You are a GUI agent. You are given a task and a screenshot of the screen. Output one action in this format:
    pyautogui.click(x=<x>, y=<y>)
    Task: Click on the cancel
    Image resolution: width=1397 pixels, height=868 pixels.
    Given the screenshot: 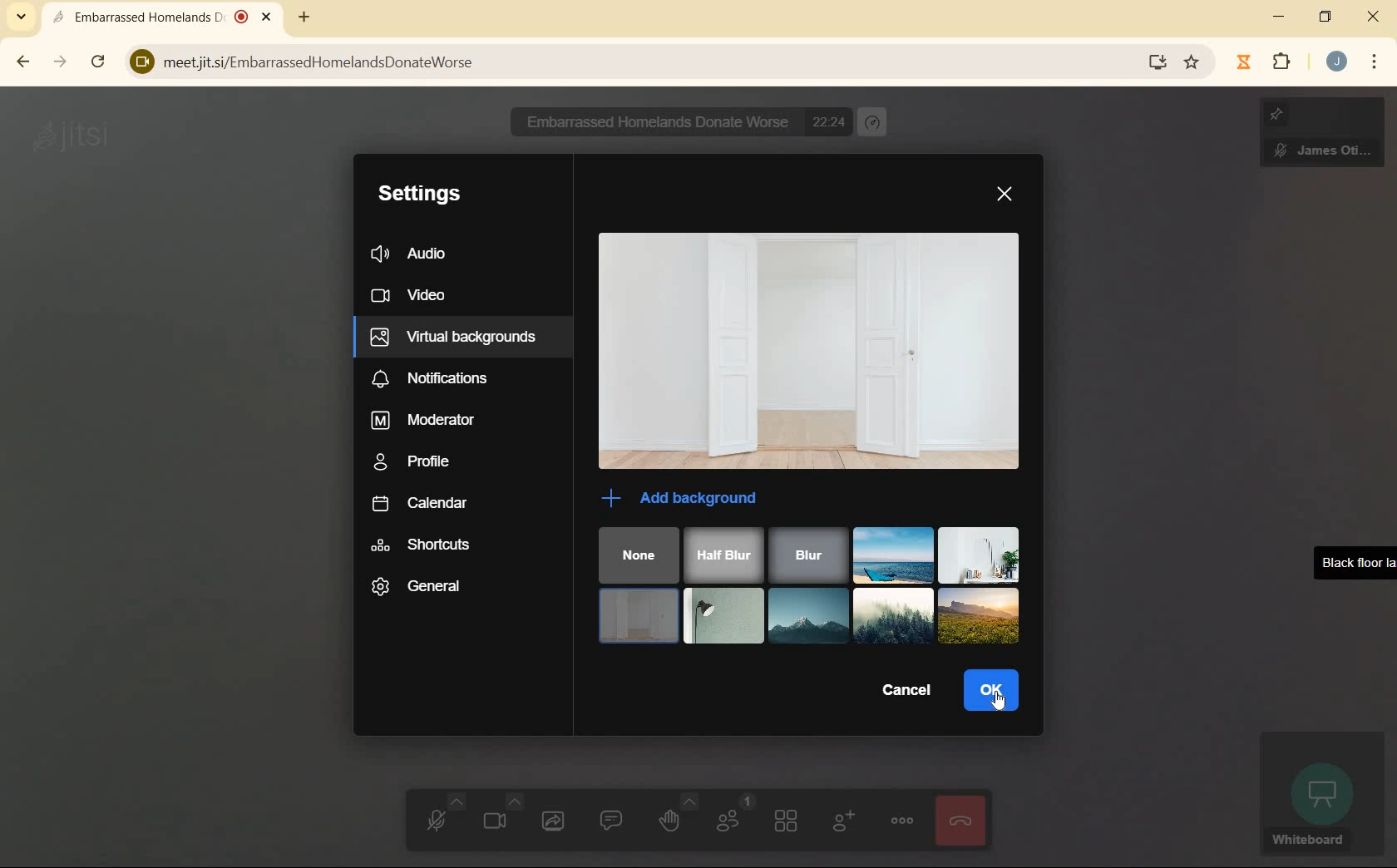 What is the action you would take?
    pyautogui.click(x=902, y=692)
    